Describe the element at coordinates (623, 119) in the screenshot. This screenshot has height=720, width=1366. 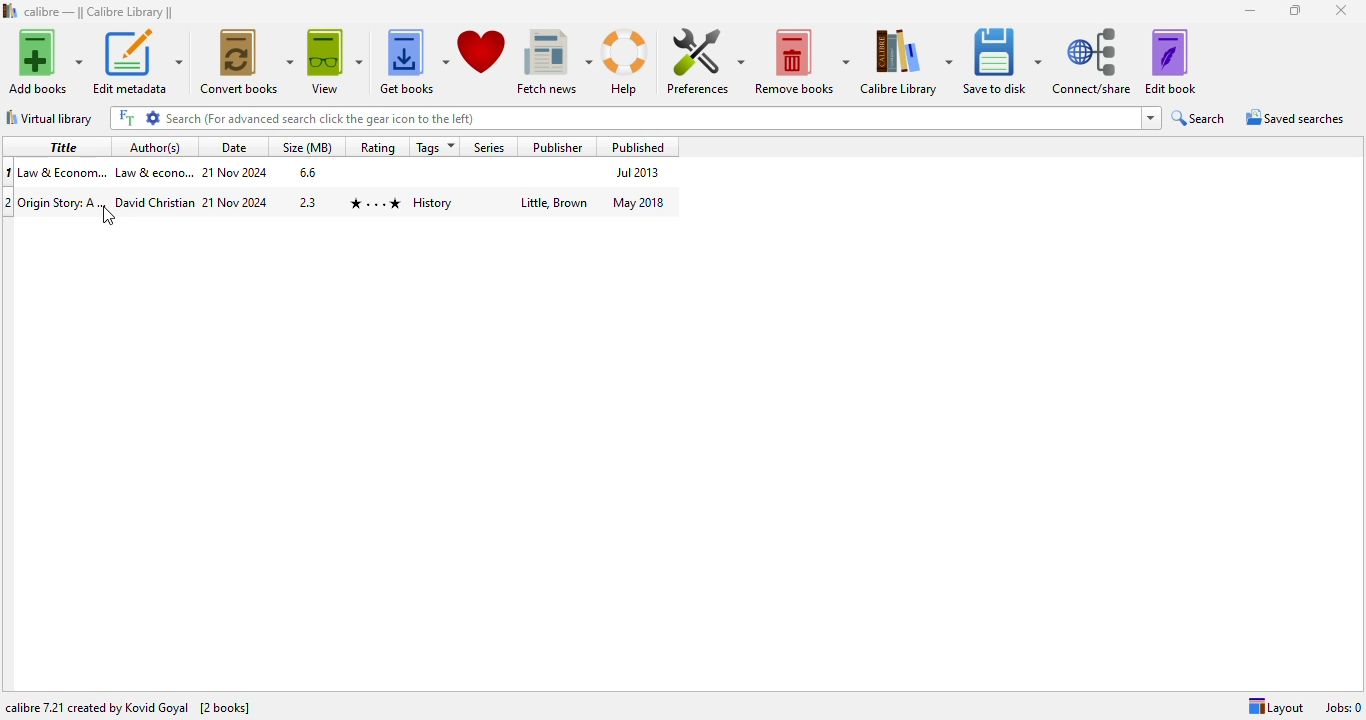
I see `search` at that location.